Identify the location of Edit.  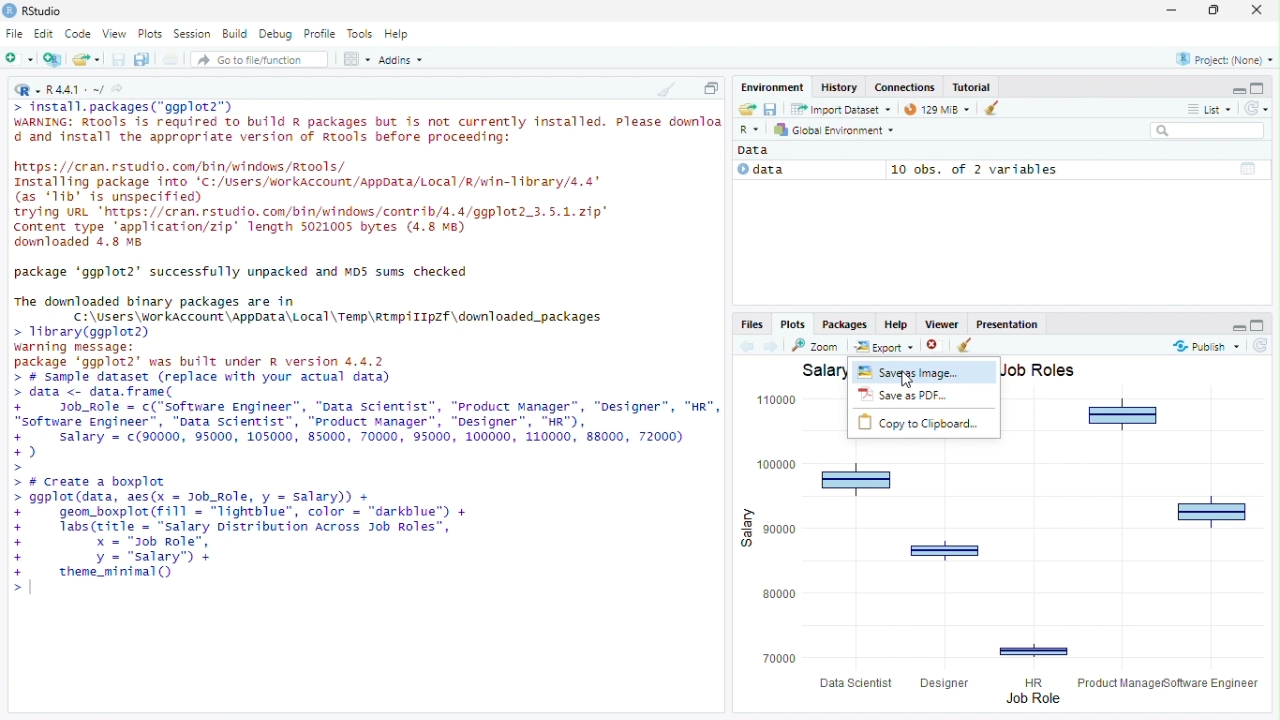
(43, 35).